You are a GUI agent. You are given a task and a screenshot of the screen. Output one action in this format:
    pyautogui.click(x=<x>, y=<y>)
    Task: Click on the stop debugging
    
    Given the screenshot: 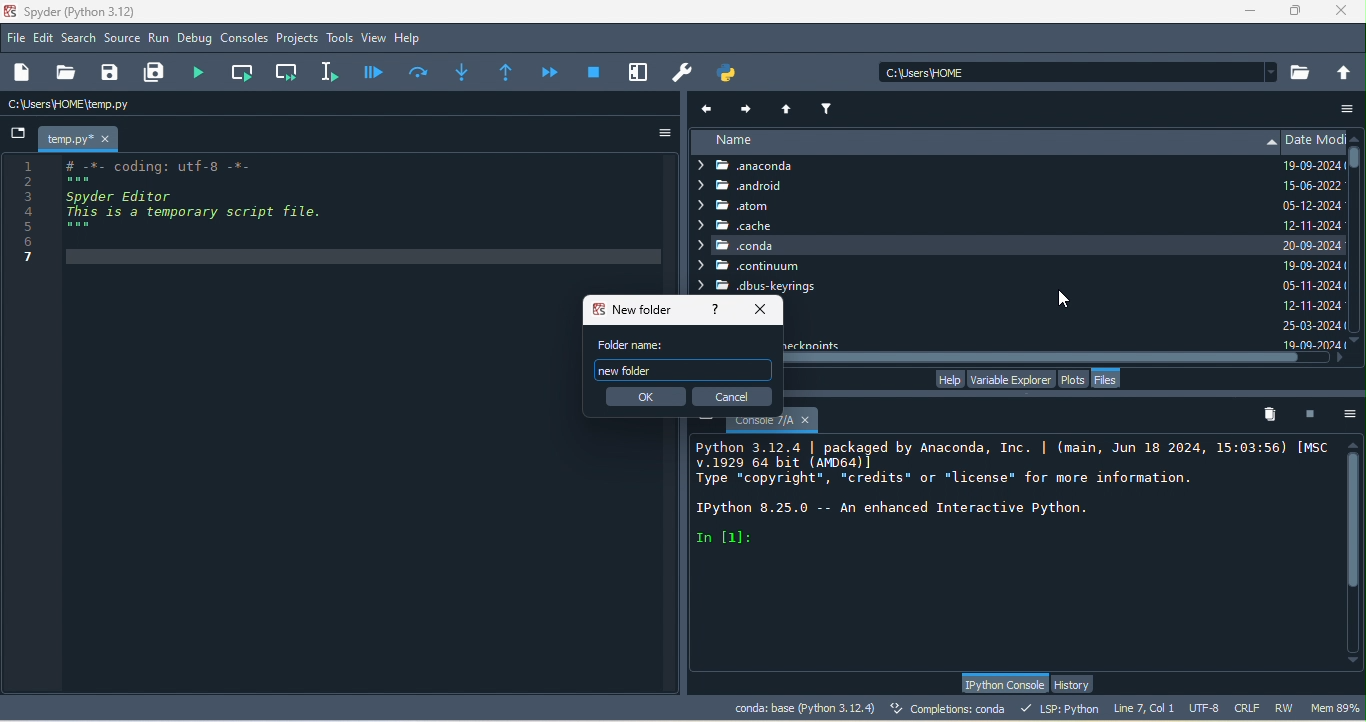 What is the action you would take?
    pyautogui.click(x=594, y=71)
    